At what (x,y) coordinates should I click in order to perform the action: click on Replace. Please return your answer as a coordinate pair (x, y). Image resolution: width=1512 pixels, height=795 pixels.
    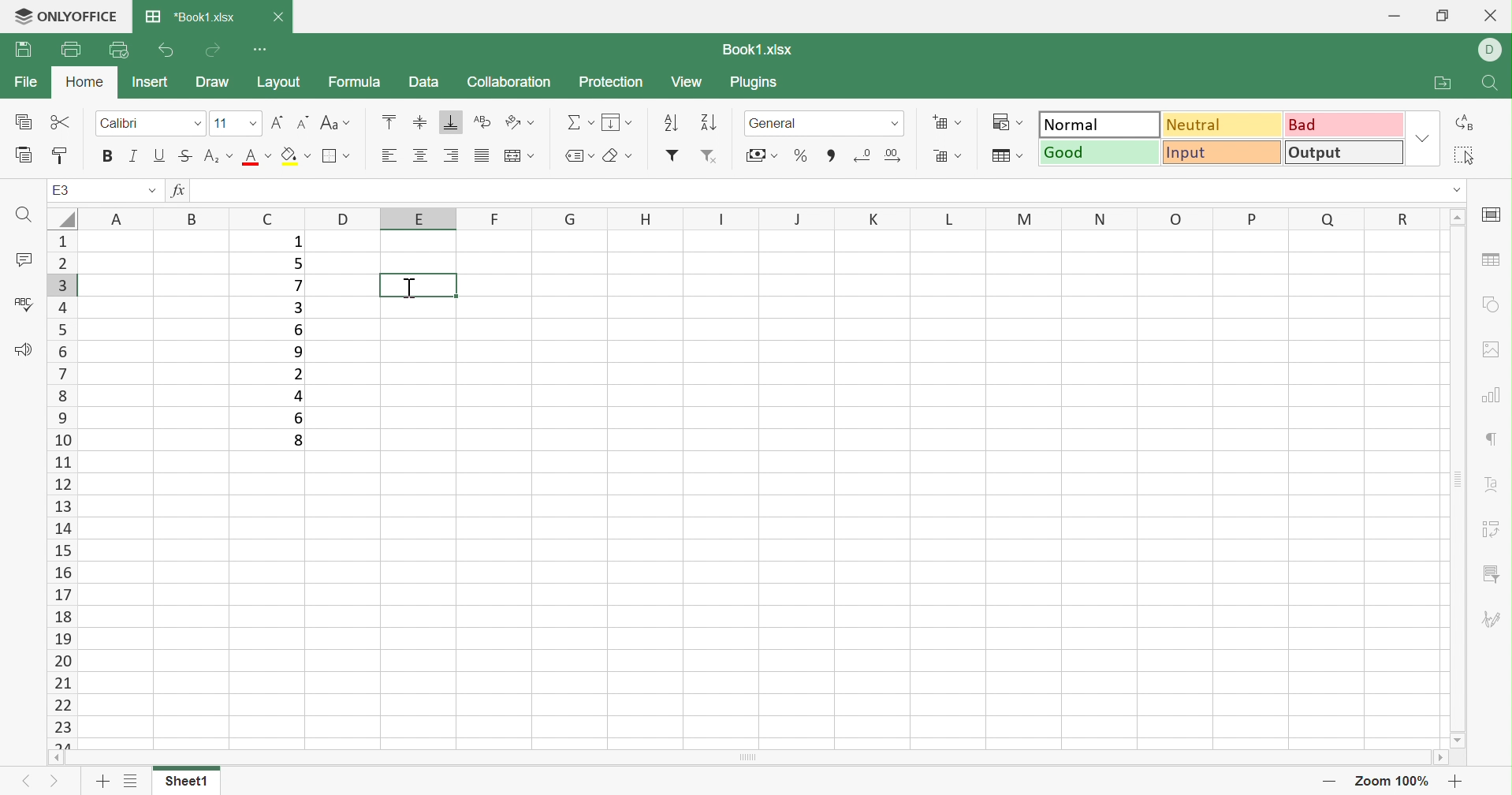
    Looking at the image, I should click on (1463, 122).